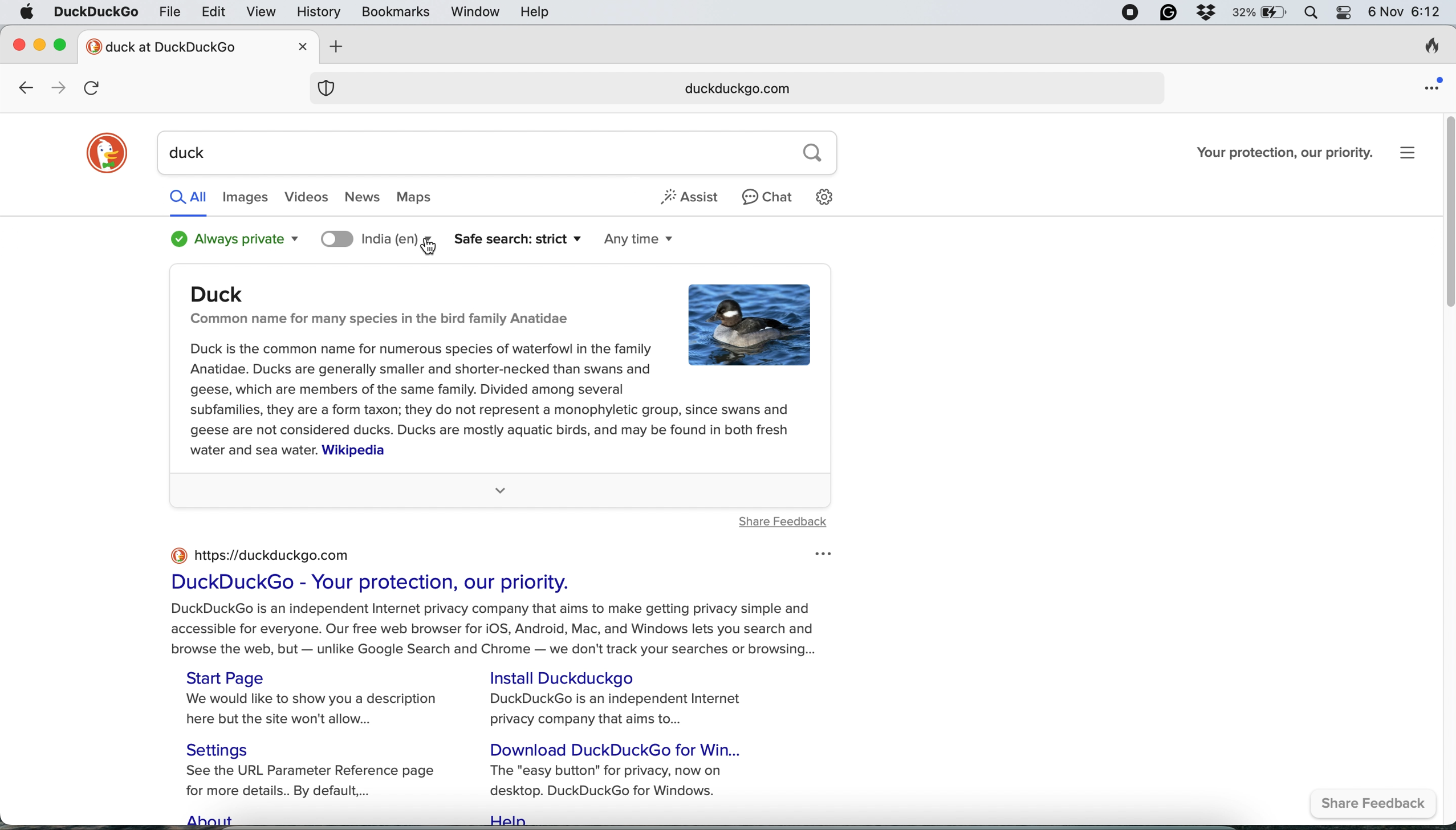  I want to click on Your protection, our priority., so click(1285, 152).